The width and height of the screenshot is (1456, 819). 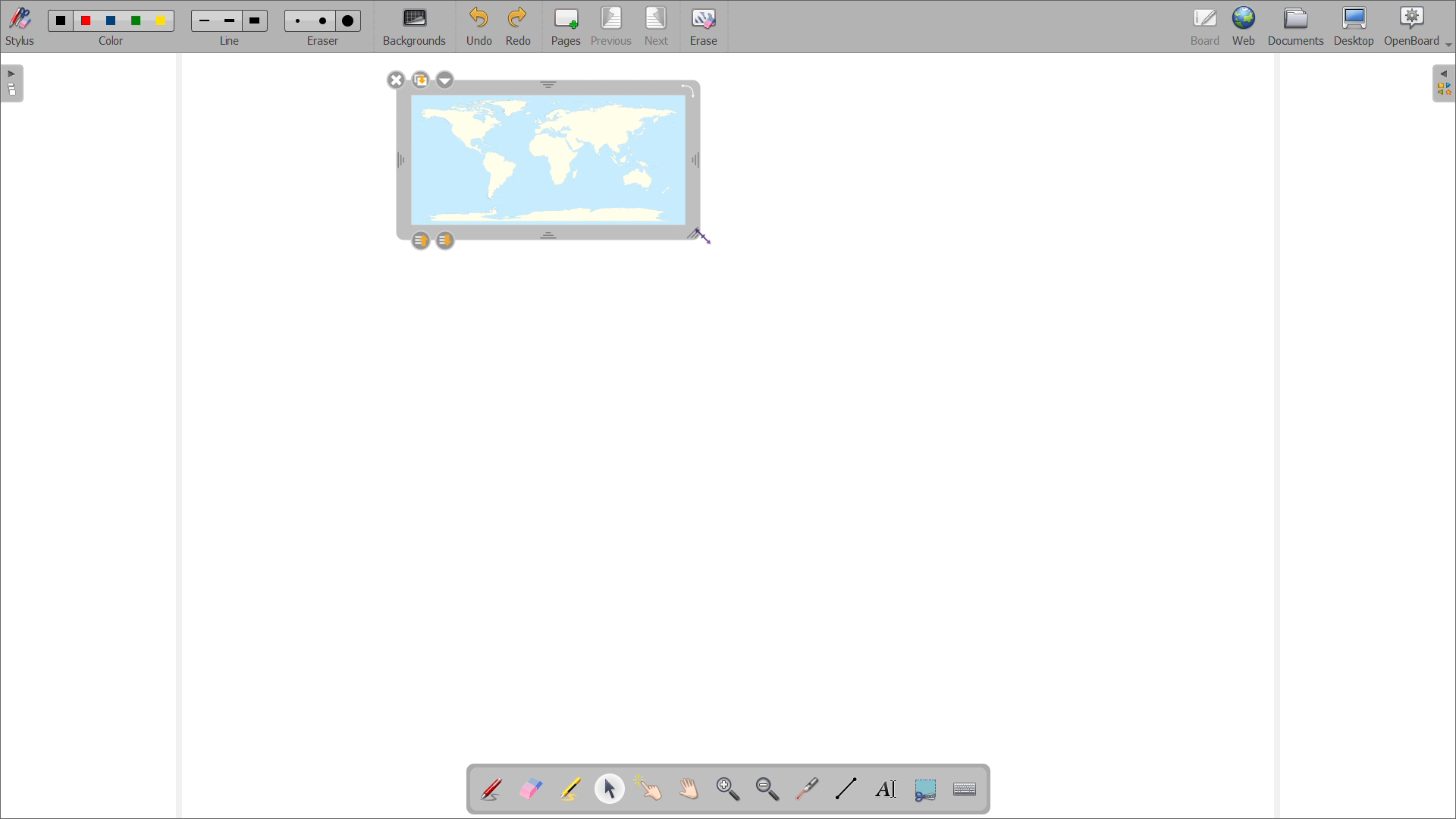 What do you see at coordinates (325, 21) in the screenshot?
I see `medium` at bounding box center [325, 21].